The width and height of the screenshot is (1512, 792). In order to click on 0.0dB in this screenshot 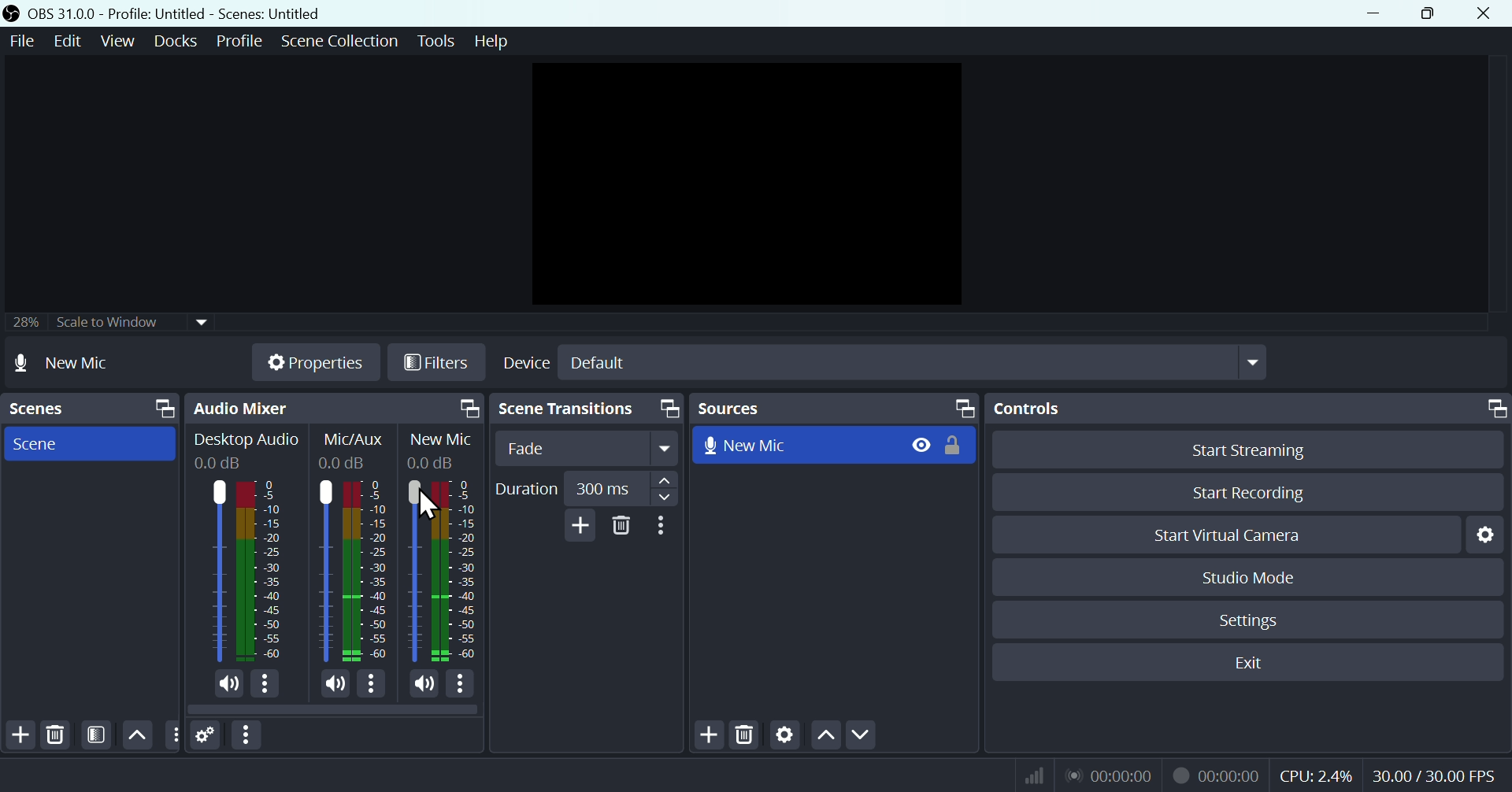, I will do `click(345, 463)`.